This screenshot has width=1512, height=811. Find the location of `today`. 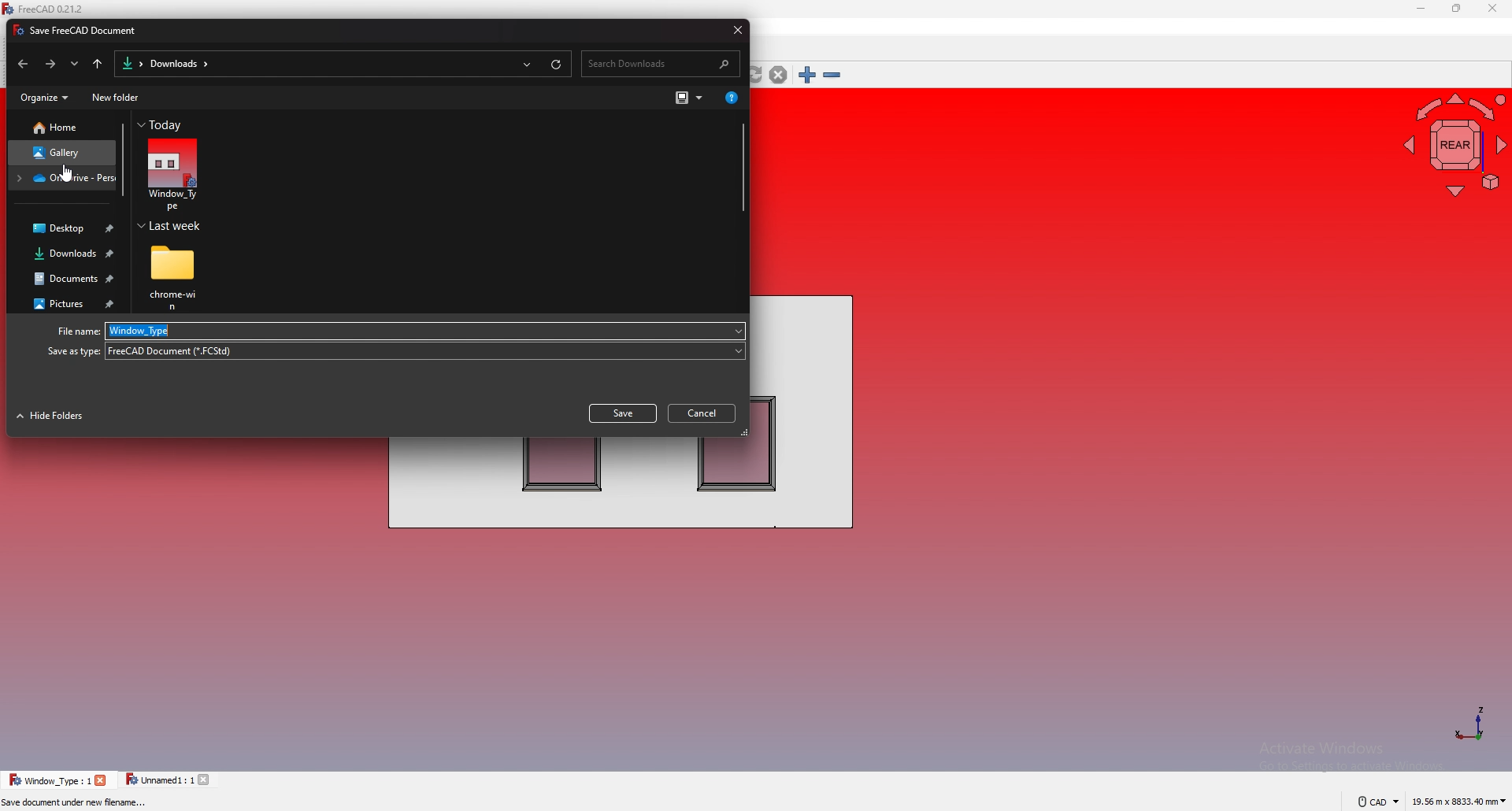

today is located at coordinates (164, 126).